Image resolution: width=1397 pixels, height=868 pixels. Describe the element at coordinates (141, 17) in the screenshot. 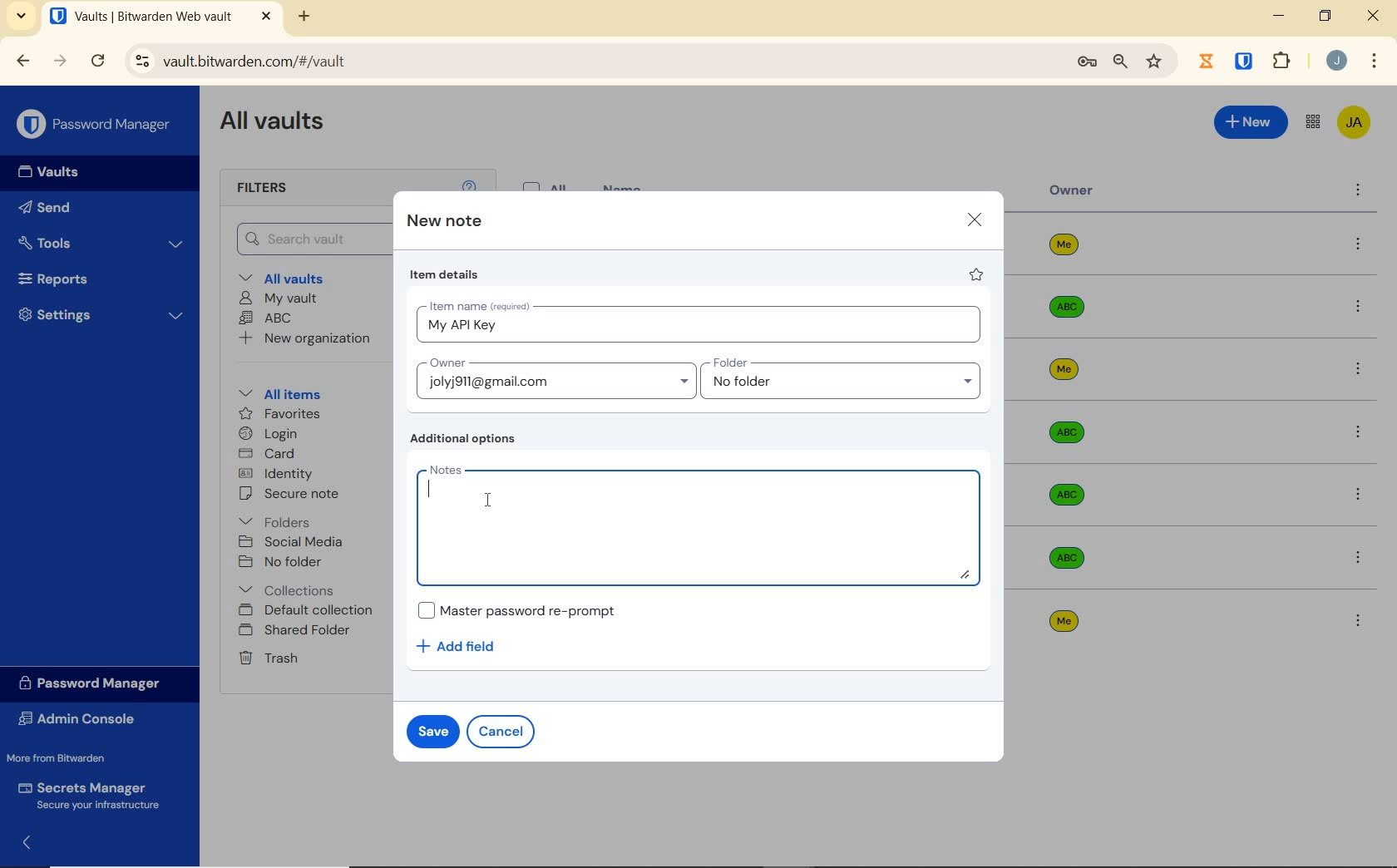

I see `open tab` at that location.